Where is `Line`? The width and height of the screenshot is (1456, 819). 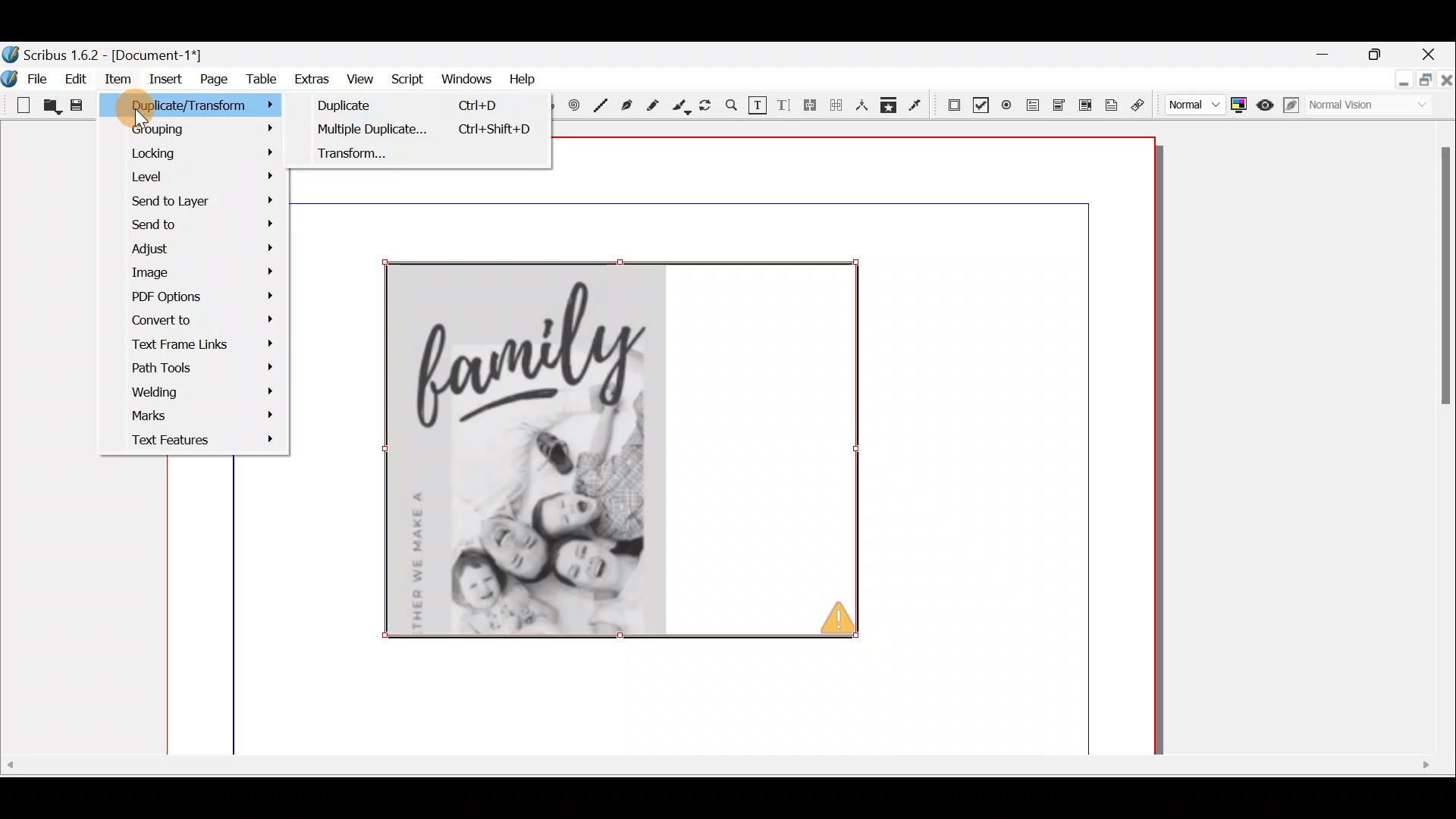 Line is located at coordinates (601, 104).